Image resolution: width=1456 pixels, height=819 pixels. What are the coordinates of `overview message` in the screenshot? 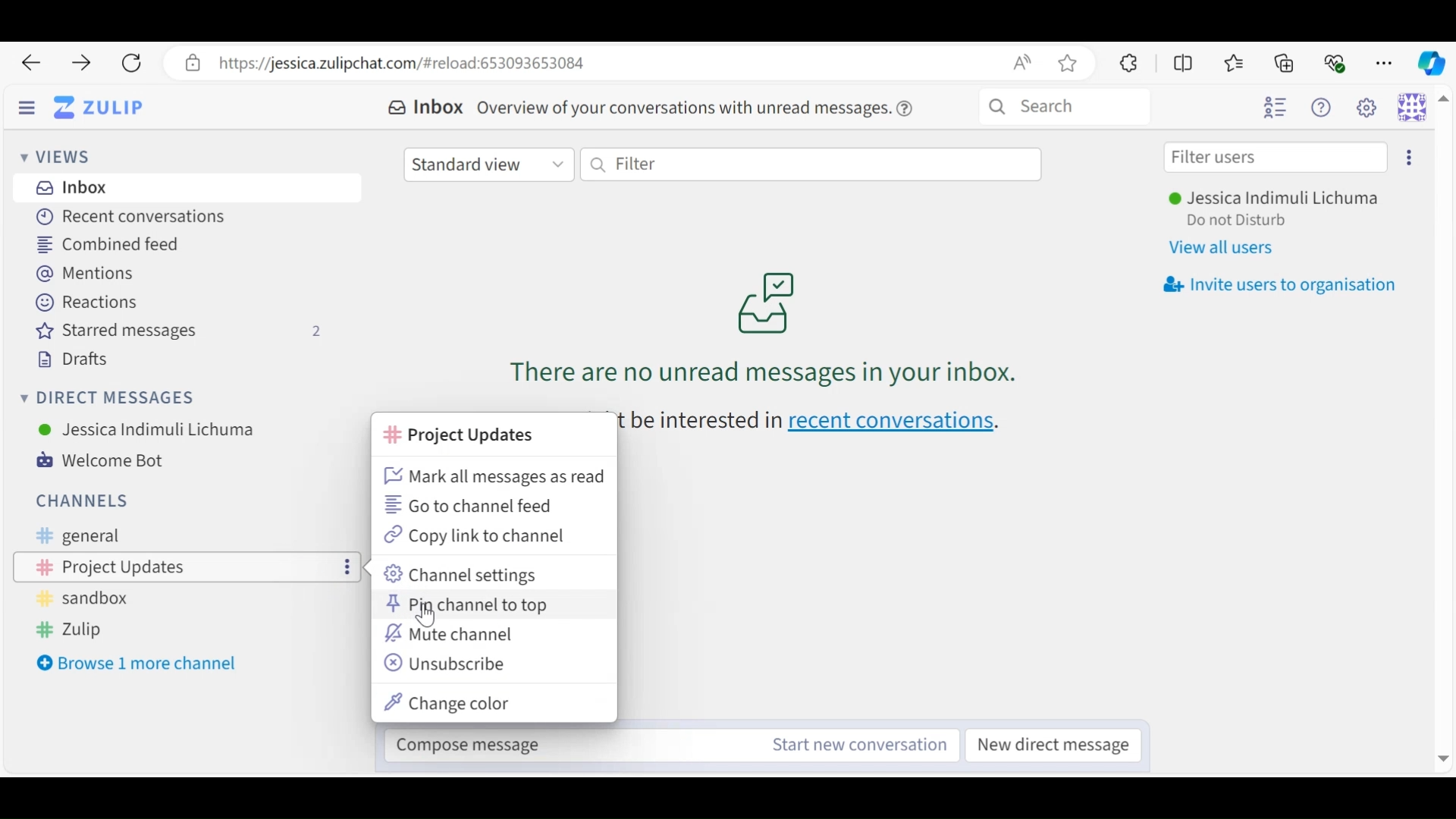 It's located at (697, 107).